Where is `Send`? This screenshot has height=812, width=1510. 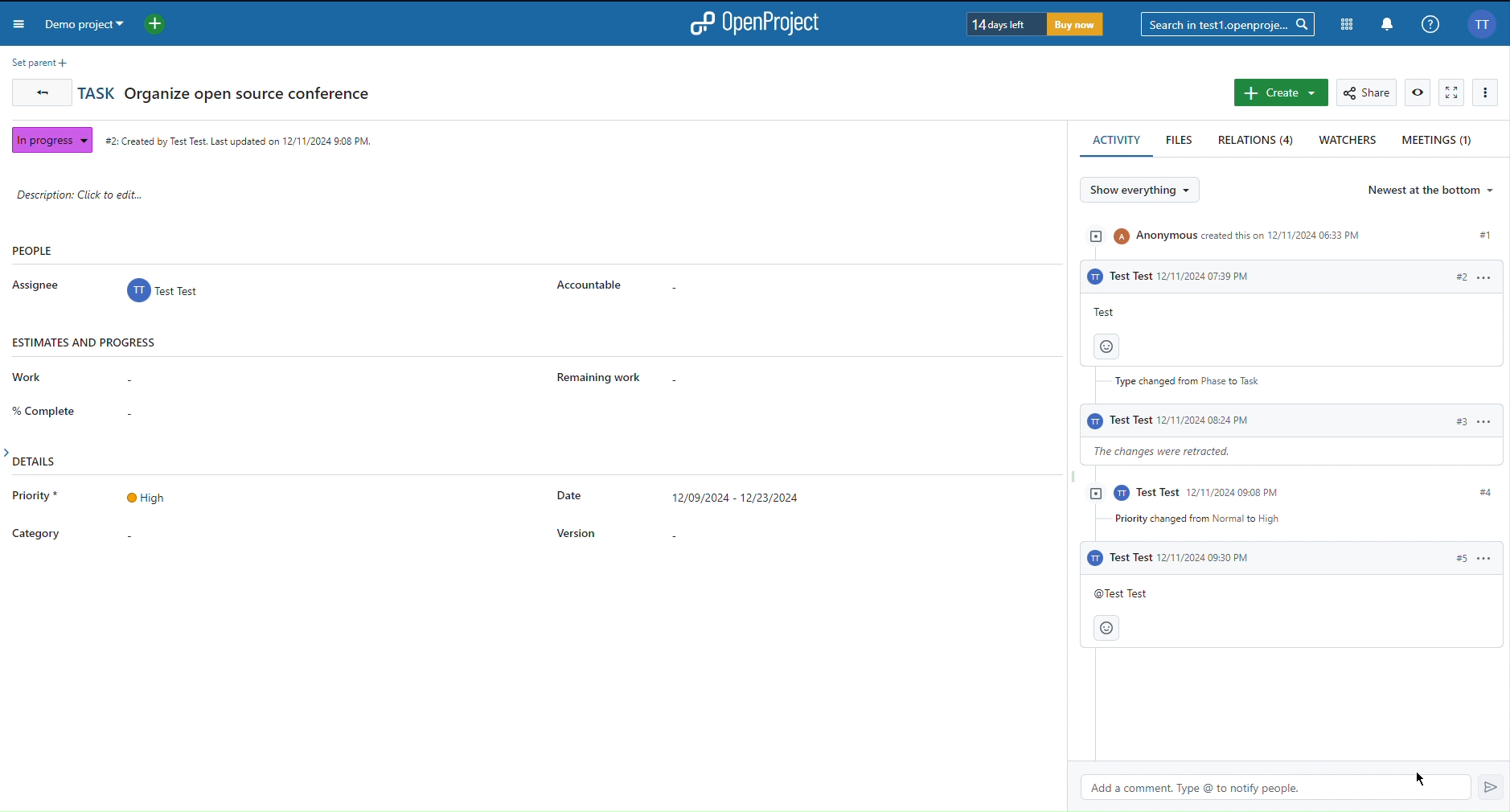 Send is located at coordinates (1483, 787).